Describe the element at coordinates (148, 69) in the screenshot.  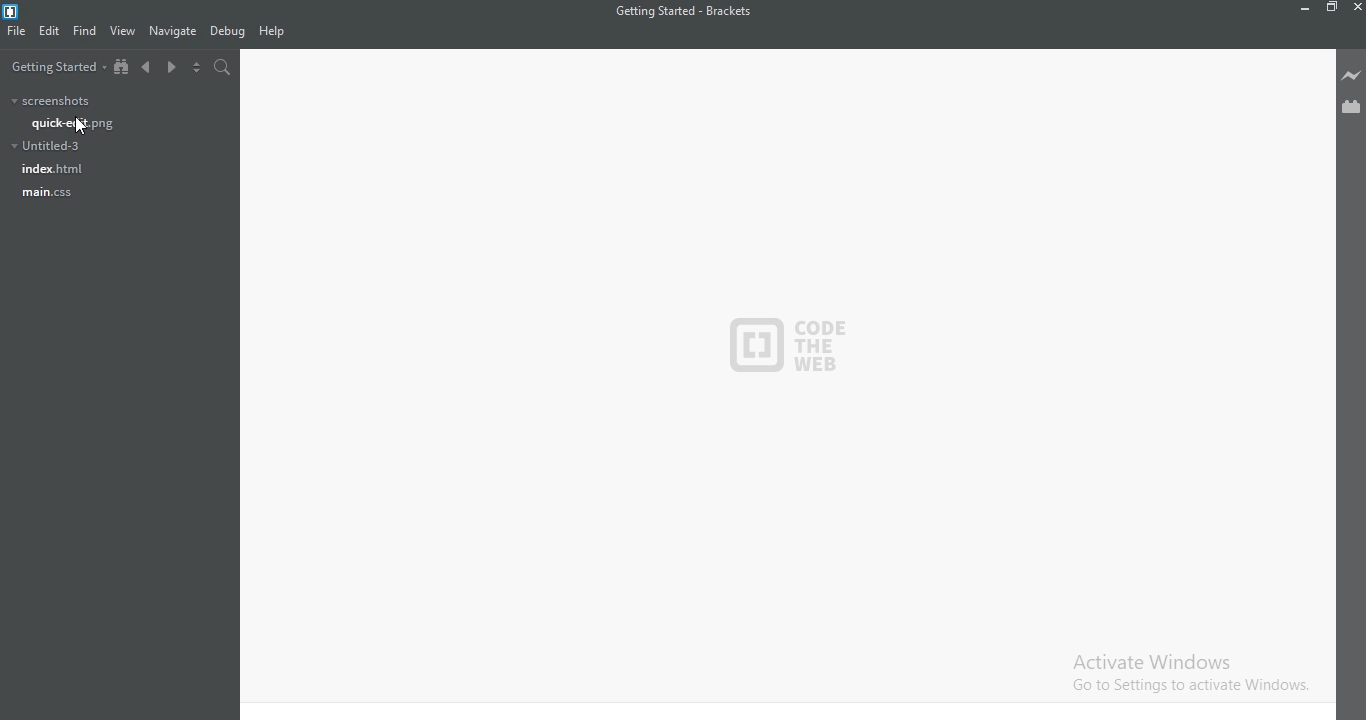
I see `backward` at that location.